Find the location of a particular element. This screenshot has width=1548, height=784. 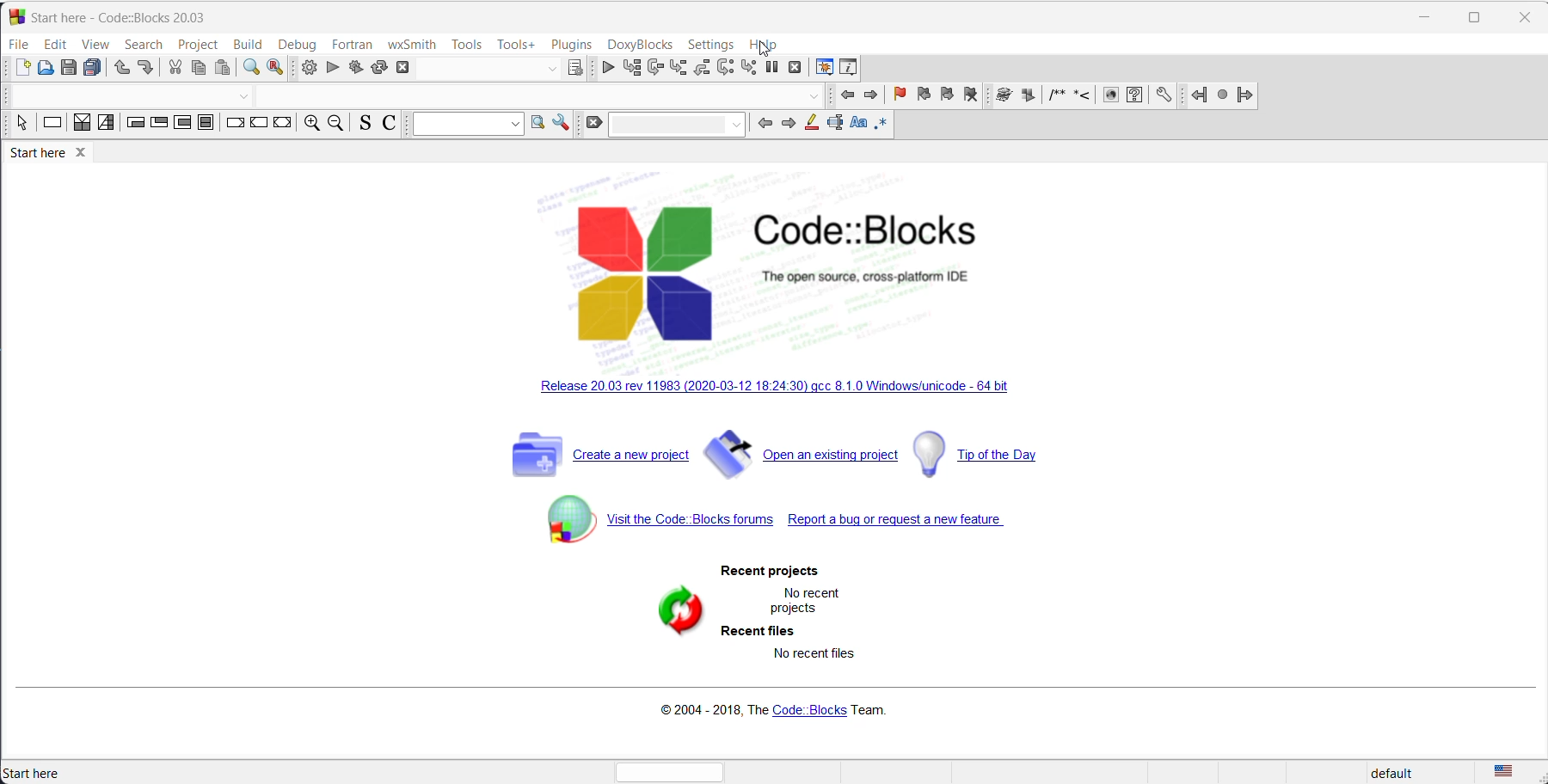

jump forward is located at coordinates (1247, 97).